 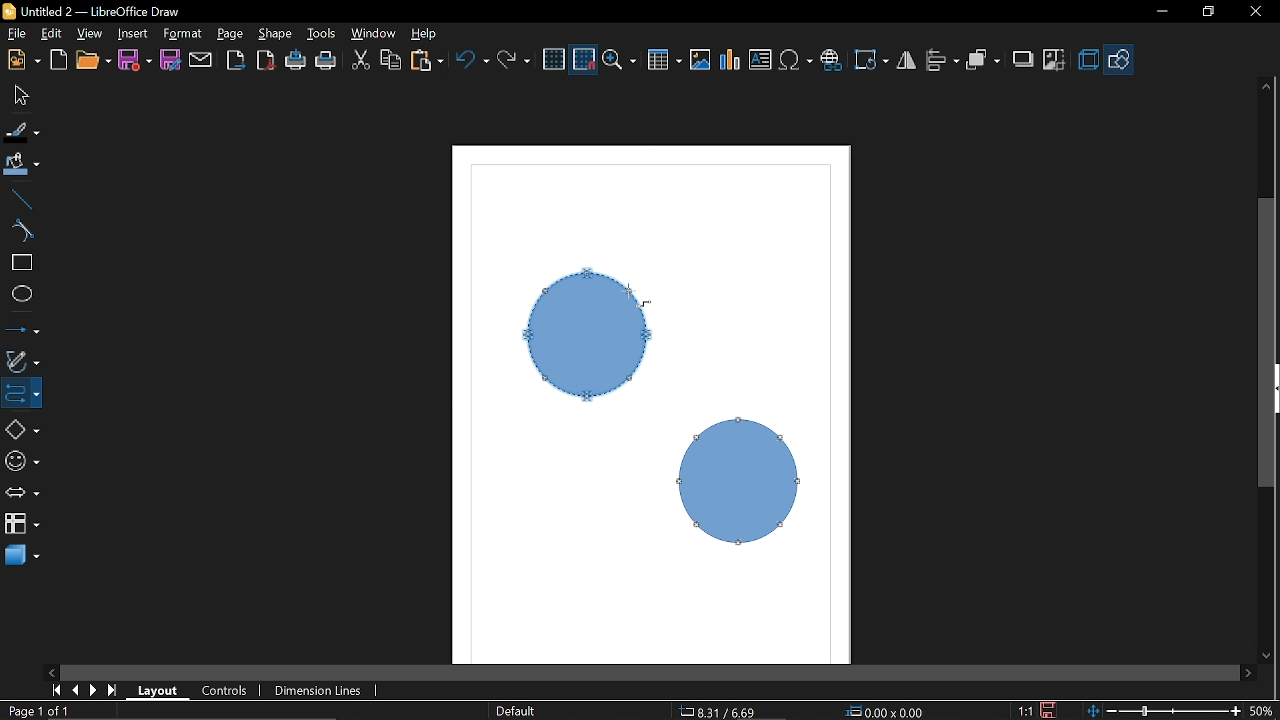 What do you see at coordinates (21, 427) in the screenshot?
I see `Basic shapes` at bounding box center [21, 427].